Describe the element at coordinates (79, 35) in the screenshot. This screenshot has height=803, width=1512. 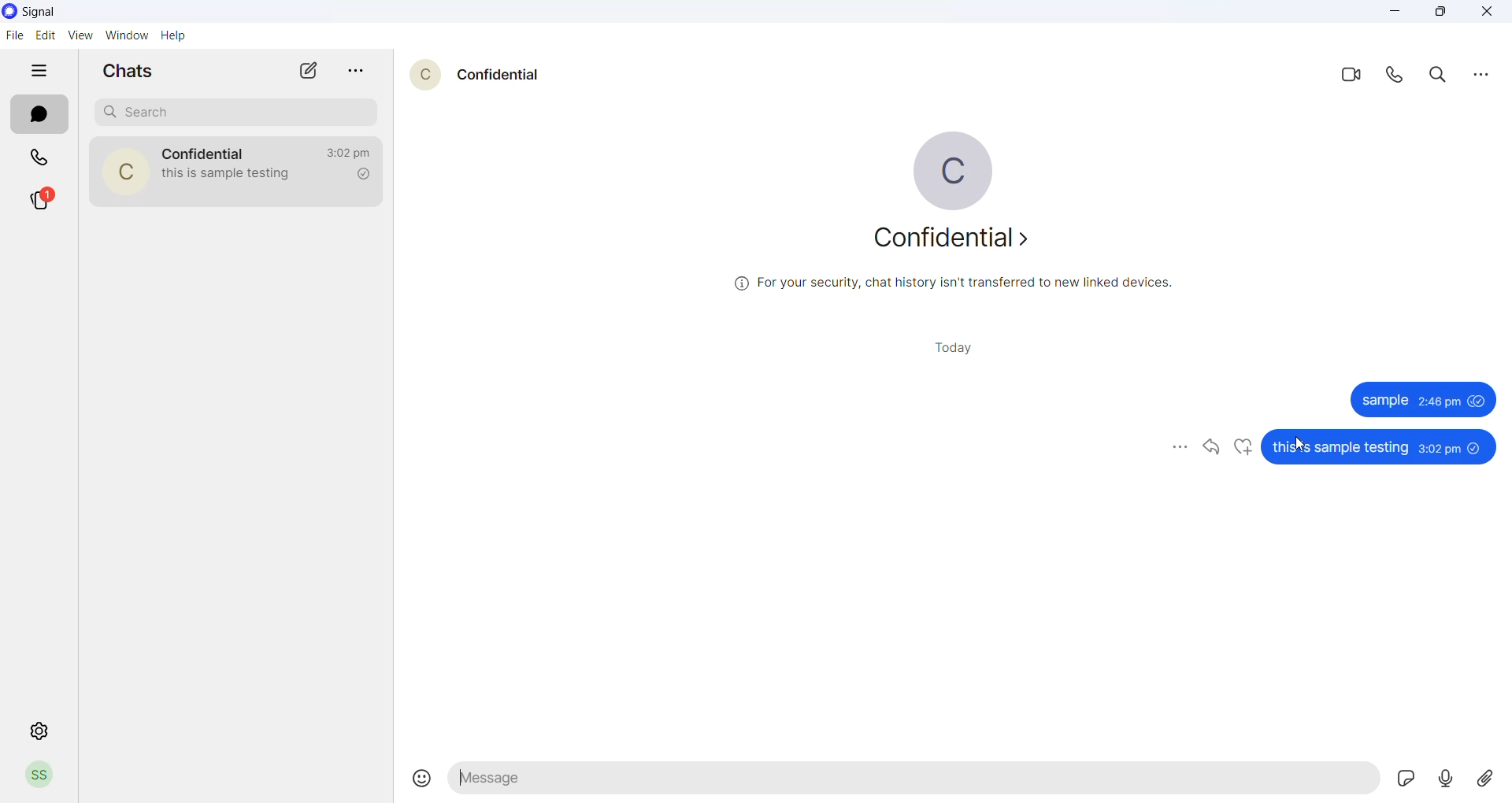
I see `view` at that location.